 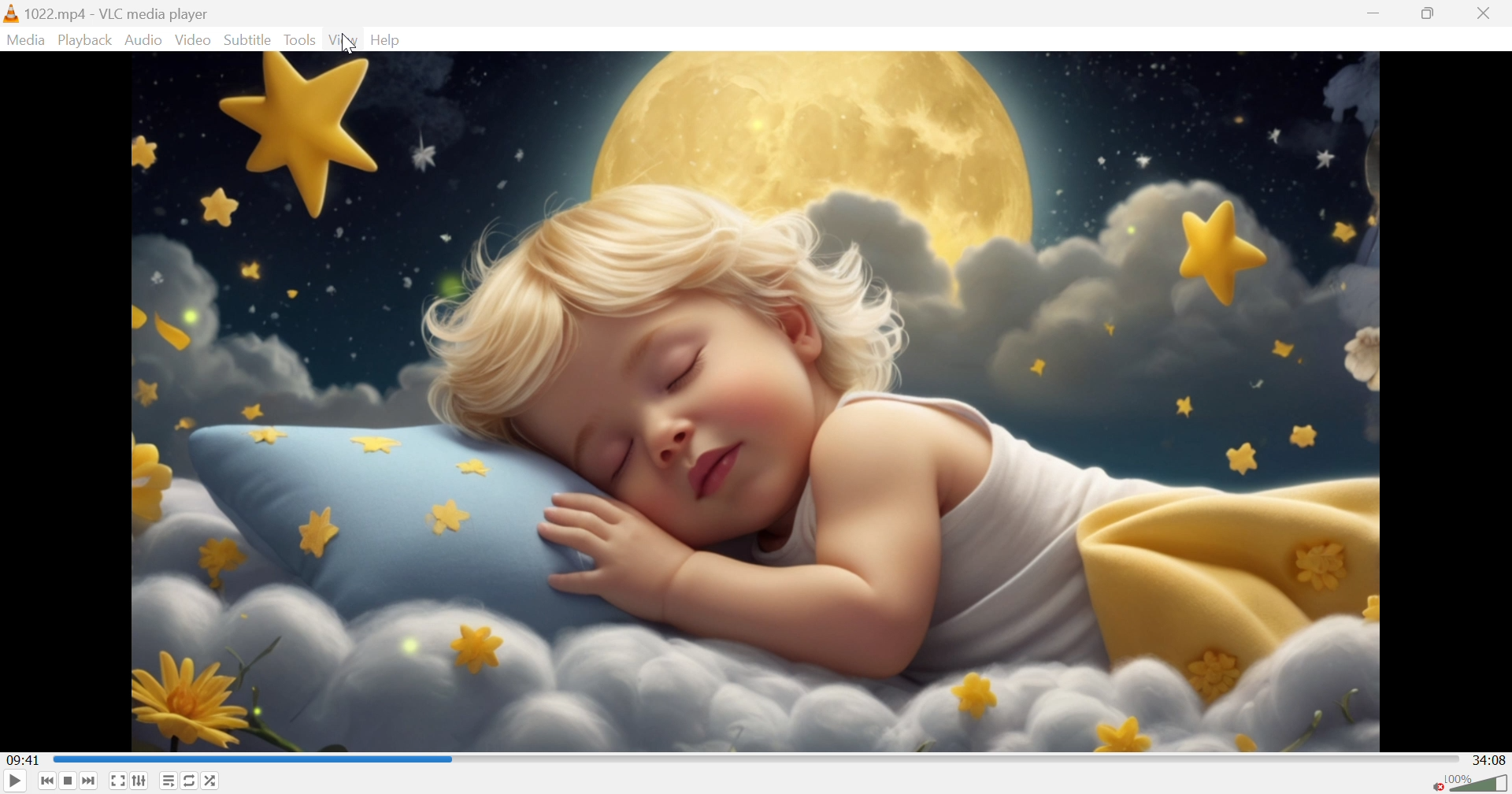 What do you see at coordinates (24, 757) in the screenshot?
I see `09:41` at bounding box center [24, 757].